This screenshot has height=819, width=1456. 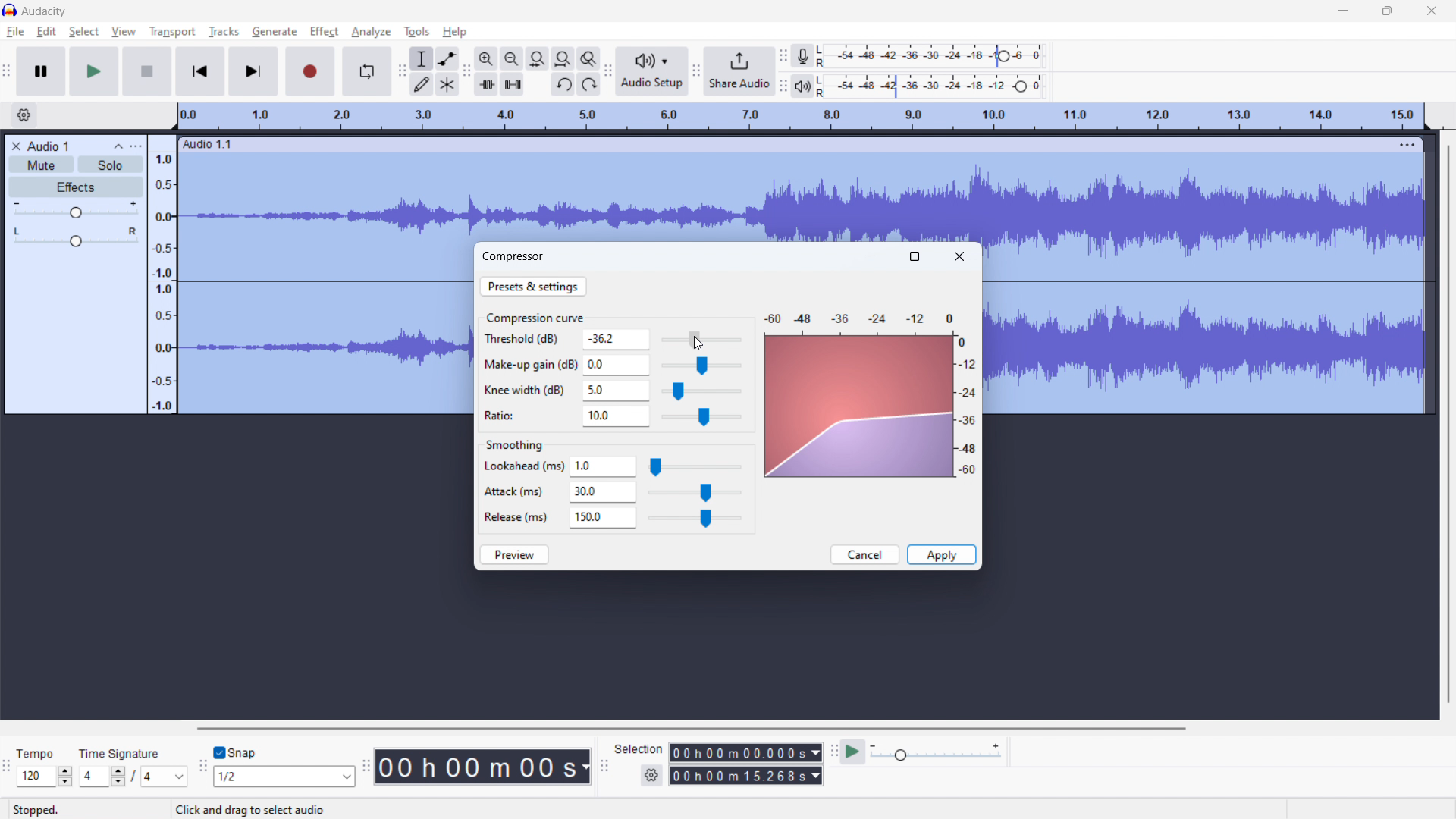 I want to click on pause, so click(x=41, y=71).